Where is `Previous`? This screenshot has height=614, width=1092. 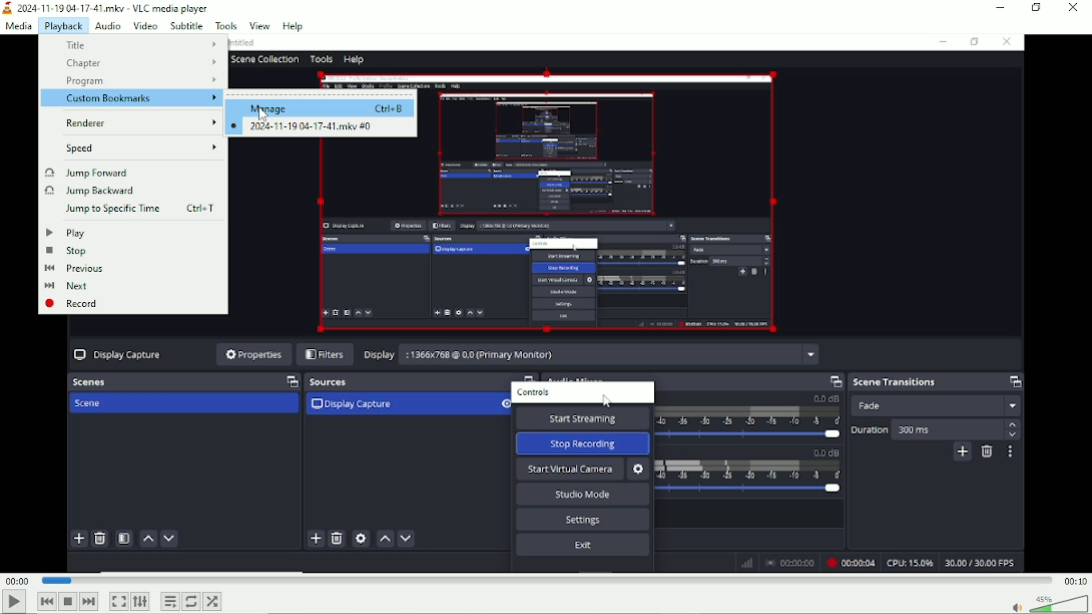 Previous is located at coordinates (47, 601).